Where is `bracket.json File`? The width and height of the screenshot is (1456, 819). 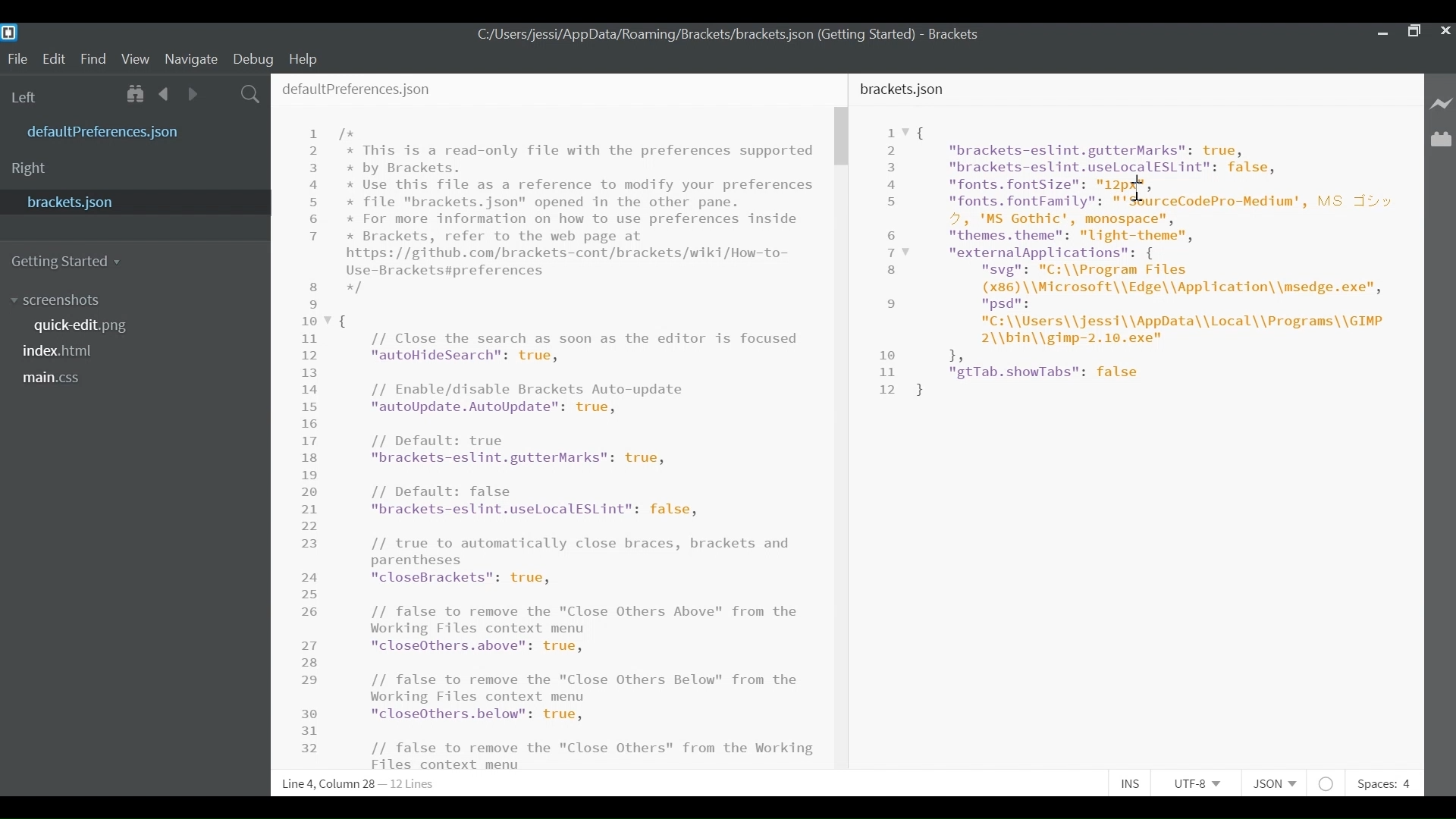 bracket.json File is located at coordinates (132, 201).